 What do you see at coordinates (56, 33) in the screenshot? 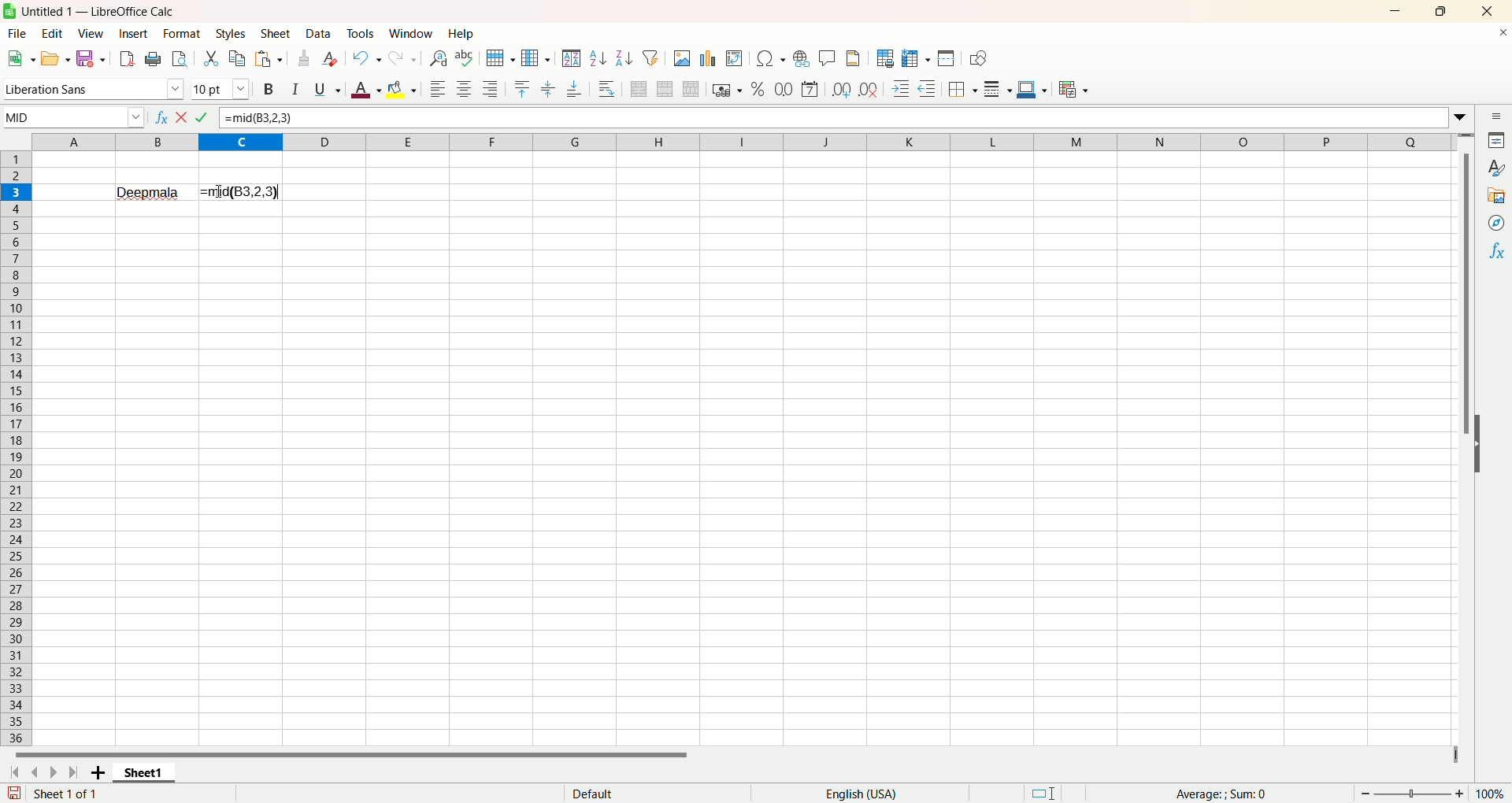
I see `Edit` at bounding box center [56, 33].